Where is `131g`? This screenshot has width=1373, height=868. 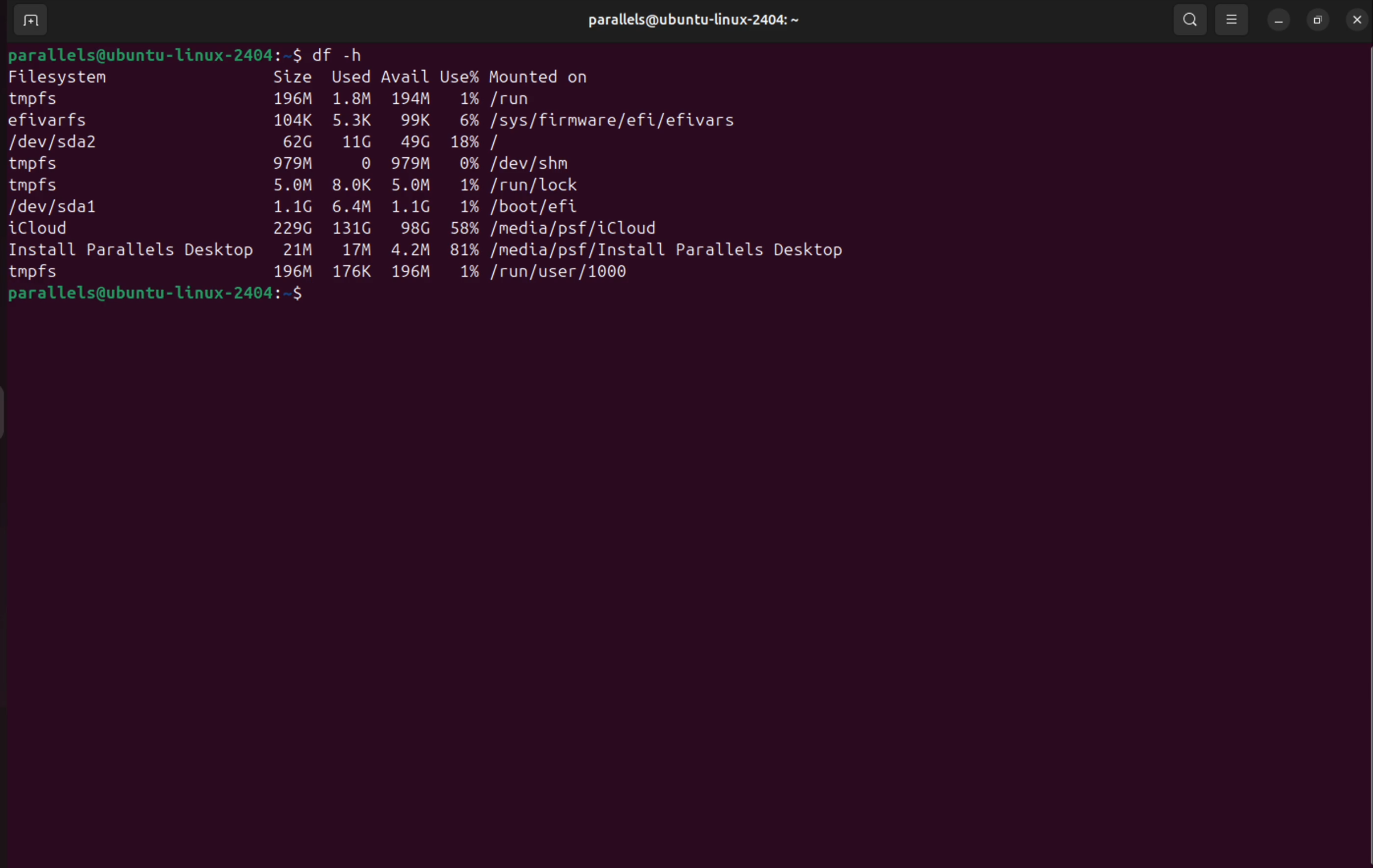
131g is located at coordinates (353, 230).